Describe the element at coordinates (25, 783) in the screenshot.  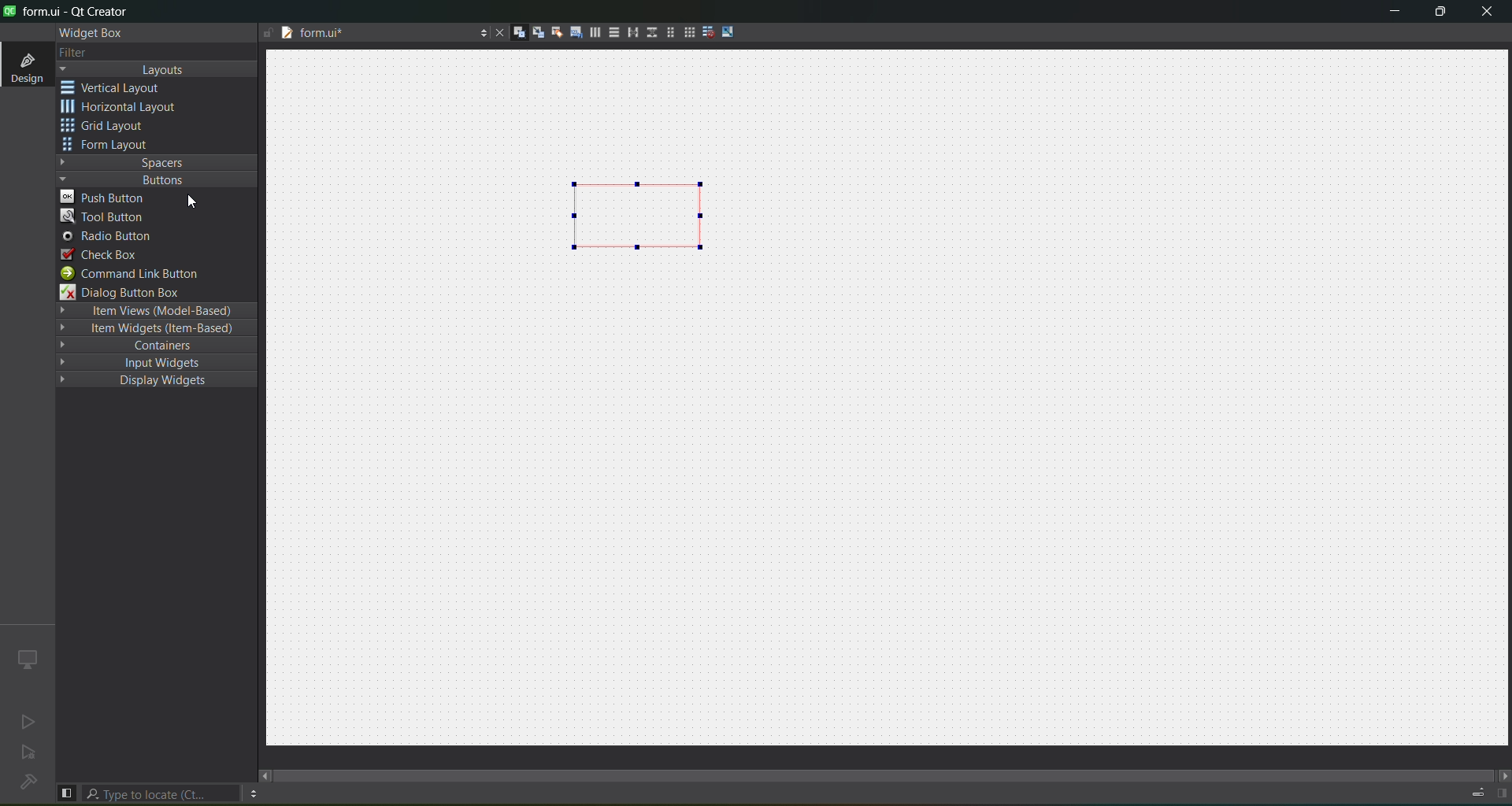
I see `no project loading` at that location.